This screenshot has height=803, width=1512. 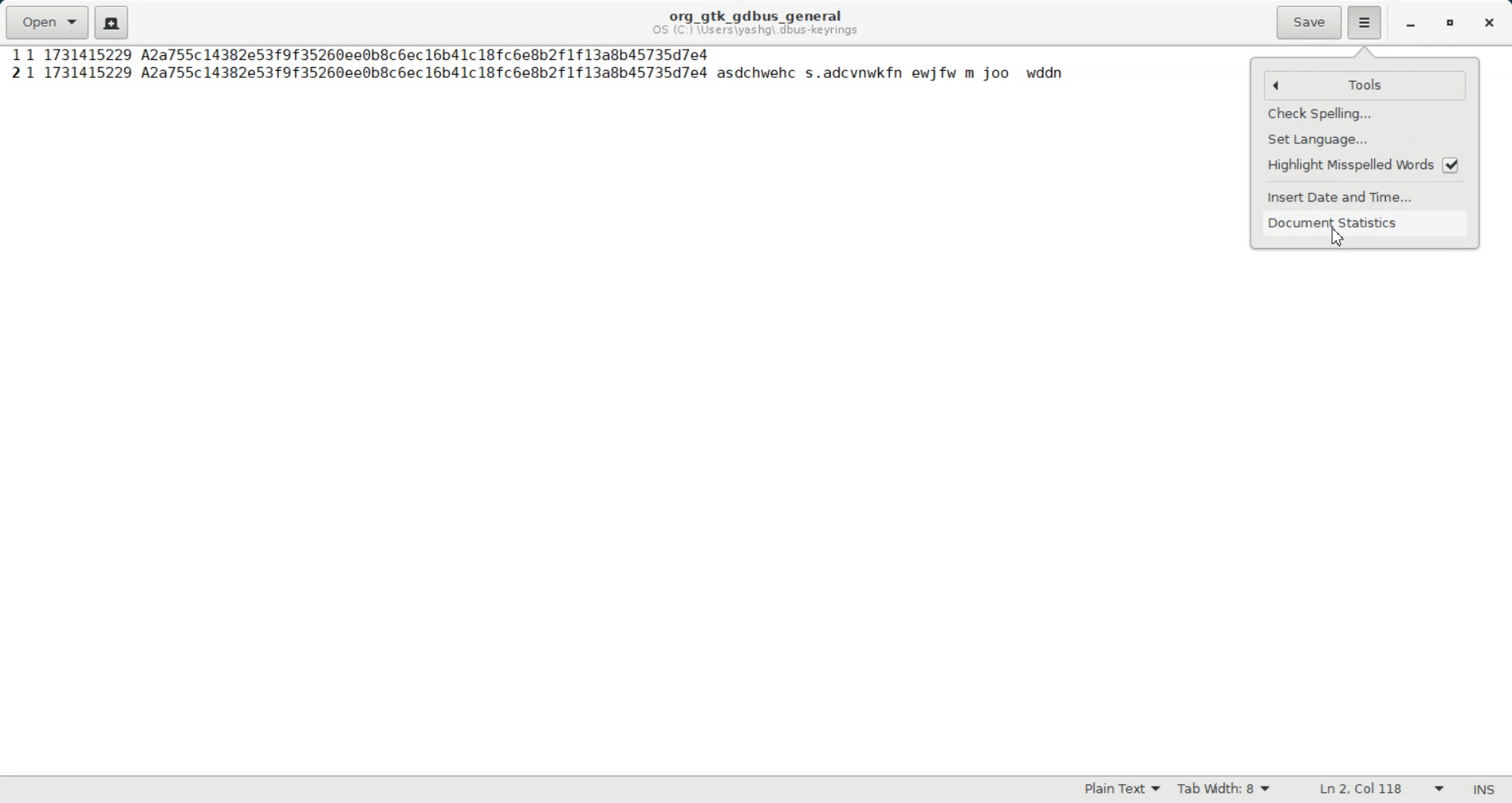 I want to click on 1 1731415229 A2a755c14382e53f9f35260ee0b8cbec16b41c18fc6e8b2f1f13a8b45735d7e4
1 1731415229 A2a755c14382e53f9f35260ee0b8cbec16b41c18fc6e8b2f1f13a8b45735d7e4 asdchwehc s.adcvnwkfn ewjfw m joo wddn, so click(x=547, y=67).